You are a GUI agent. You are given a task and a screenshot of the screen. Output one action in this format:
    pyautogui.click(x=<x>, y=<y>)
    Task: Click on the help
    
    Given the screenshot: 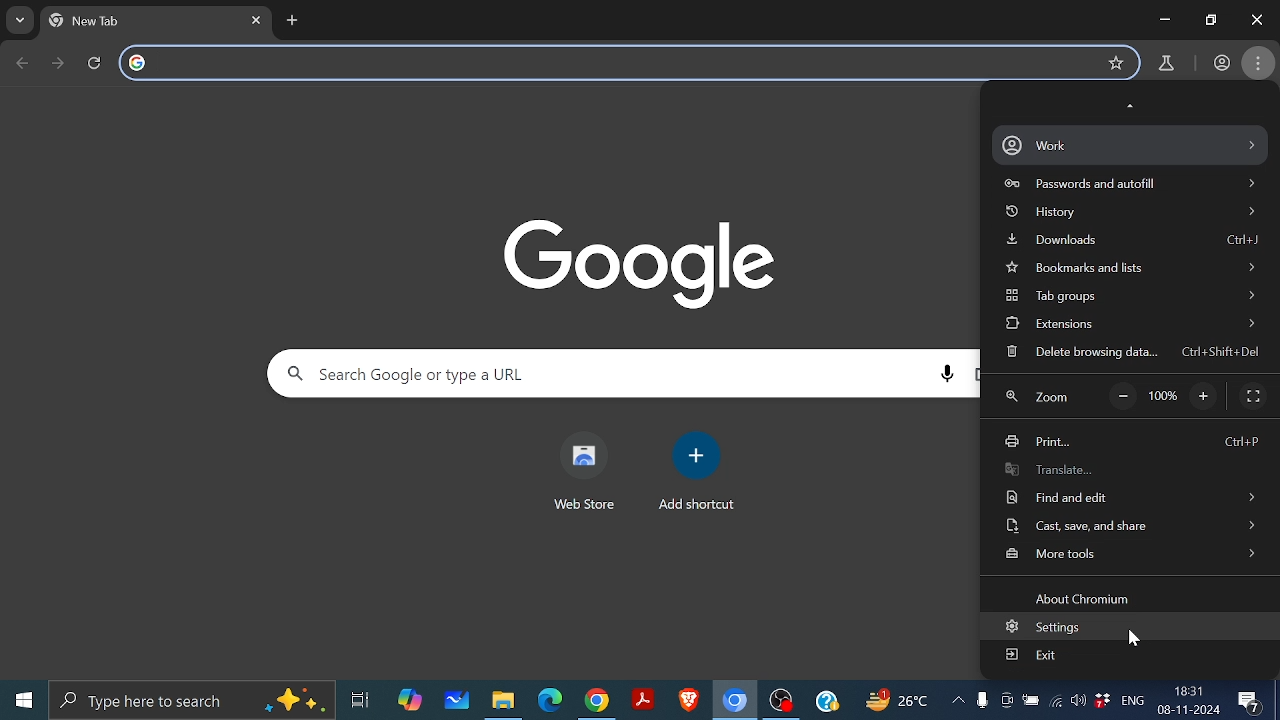 What is the action you would take?
    pyautogui.click(x=827, y=703)
    